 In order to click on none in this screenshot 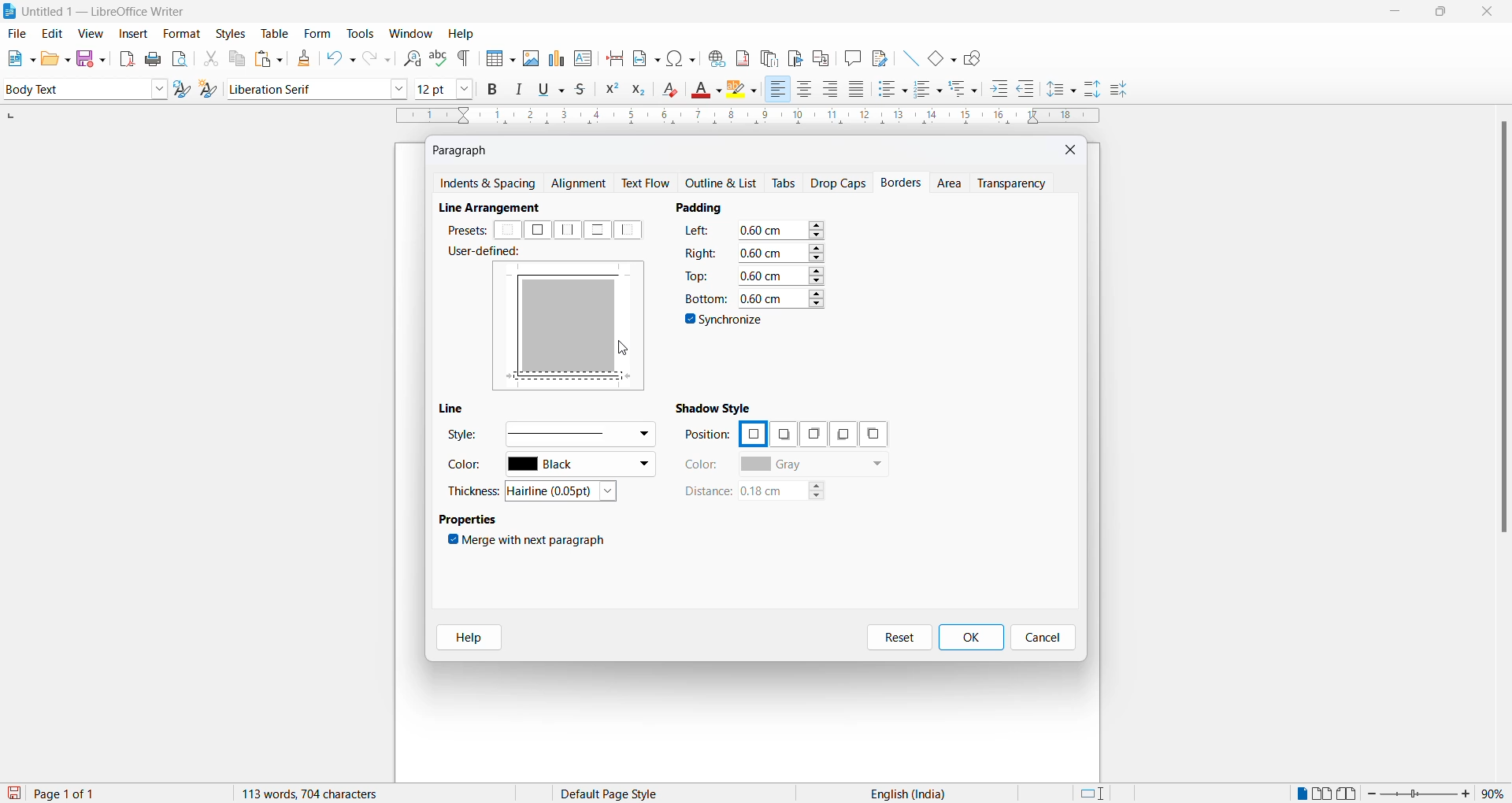, I will do `click(509, 231)`.